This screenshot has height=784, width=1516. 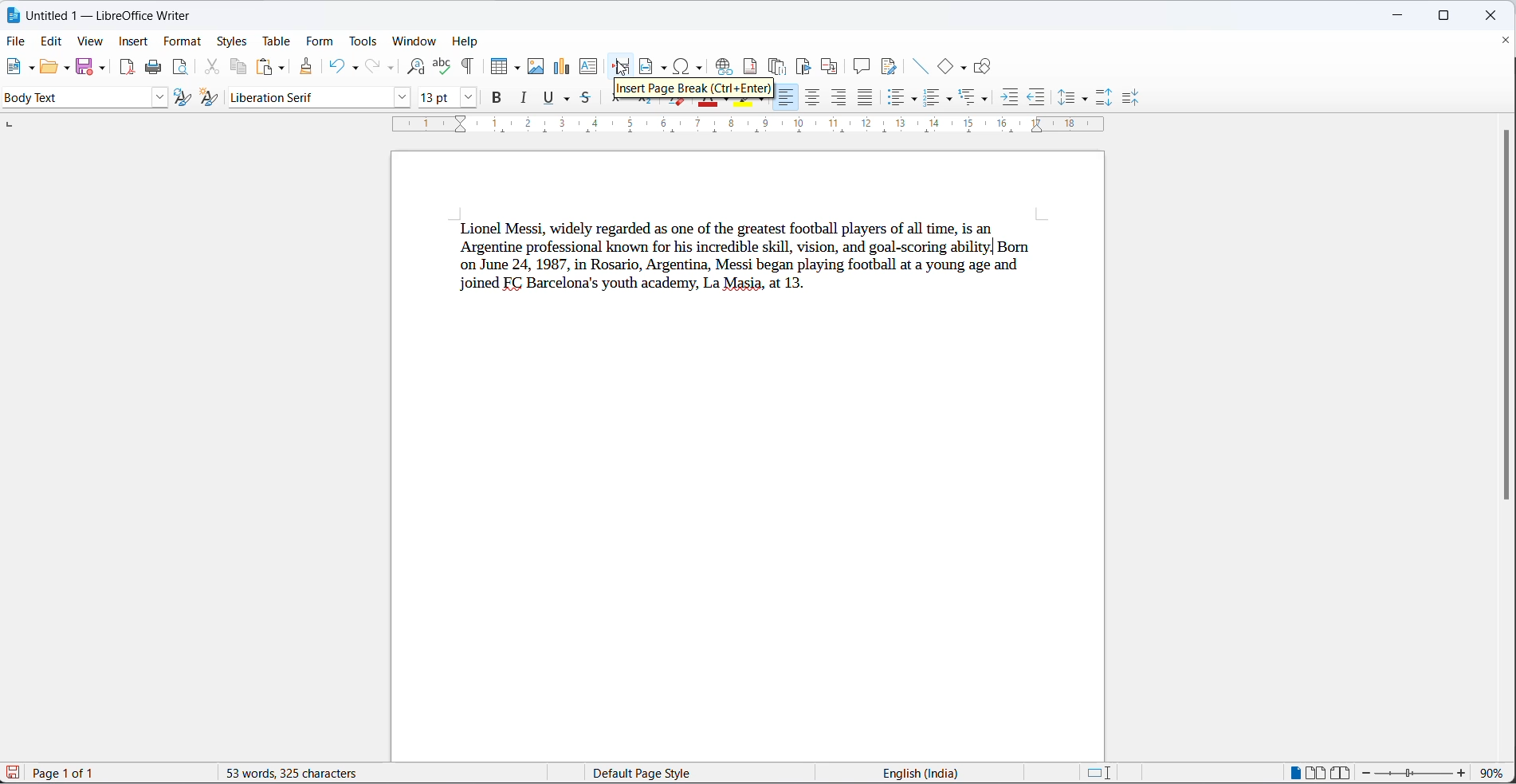 What do you see at coordinates (304, 97) in the screenshot?
I see `font name` at bounding box center [304, 97].